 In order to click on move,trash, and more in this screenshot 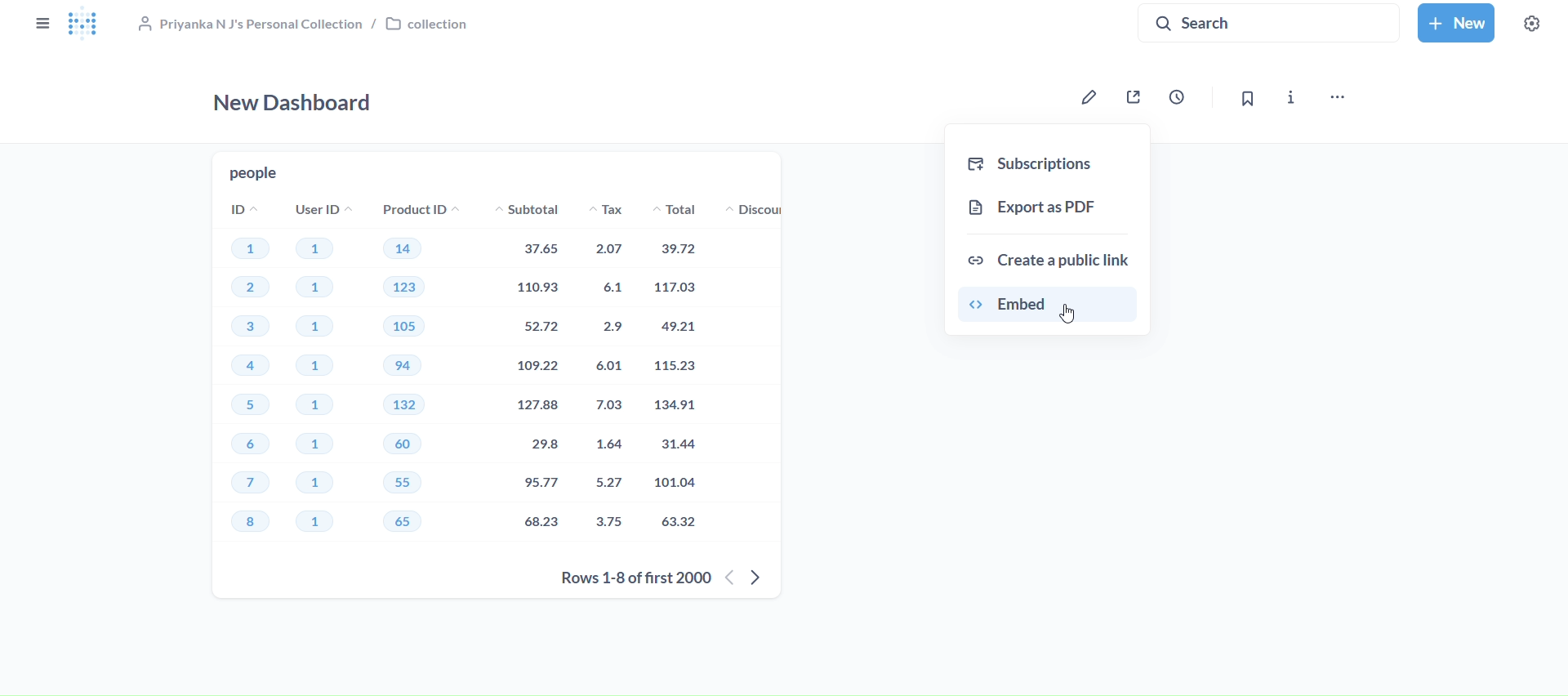, I will do `click(1343, 98)`.